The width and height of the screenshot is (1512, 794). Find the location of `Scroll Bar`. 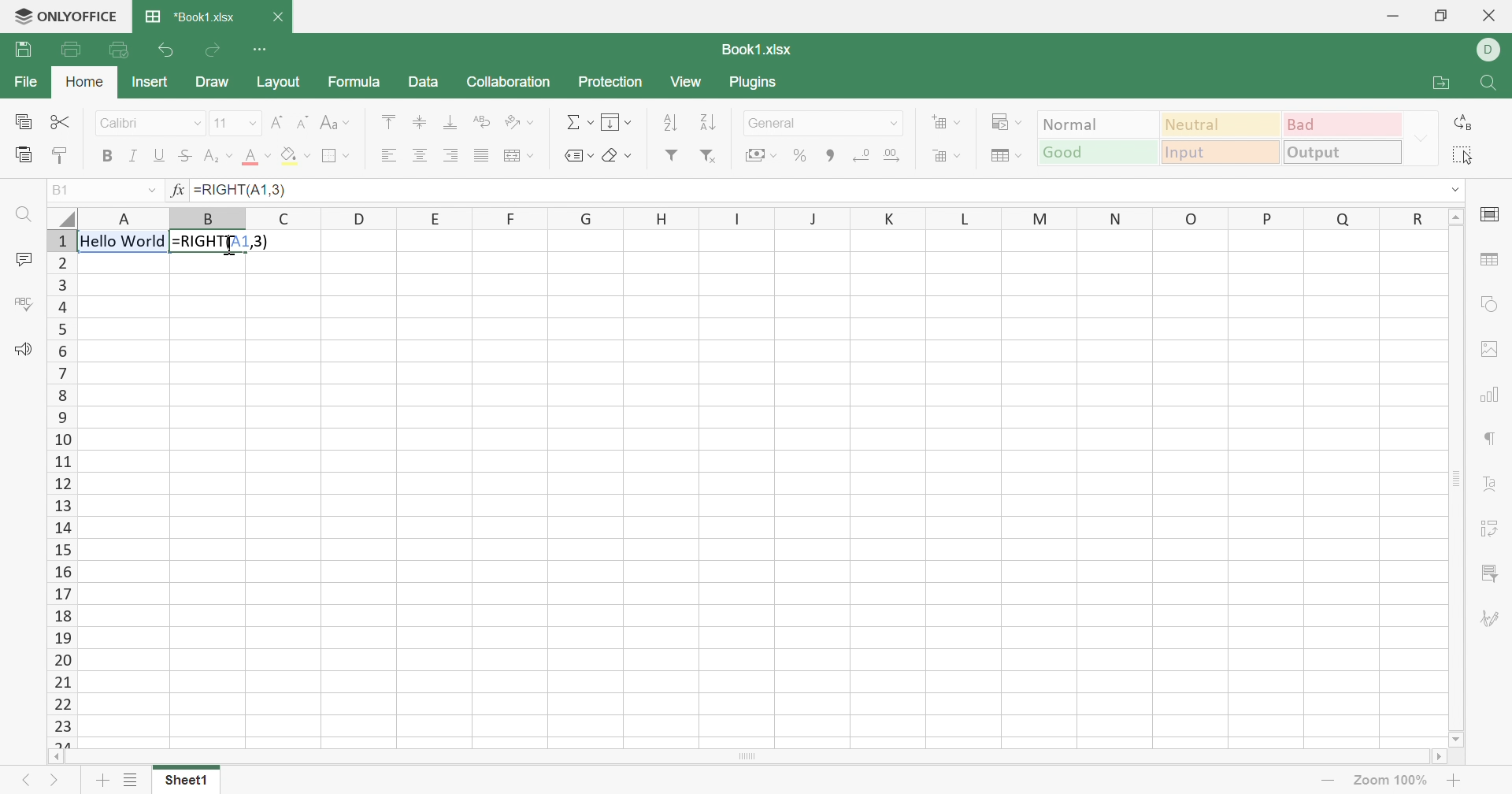

Scroll Bar is located at coordinates (744, 756).